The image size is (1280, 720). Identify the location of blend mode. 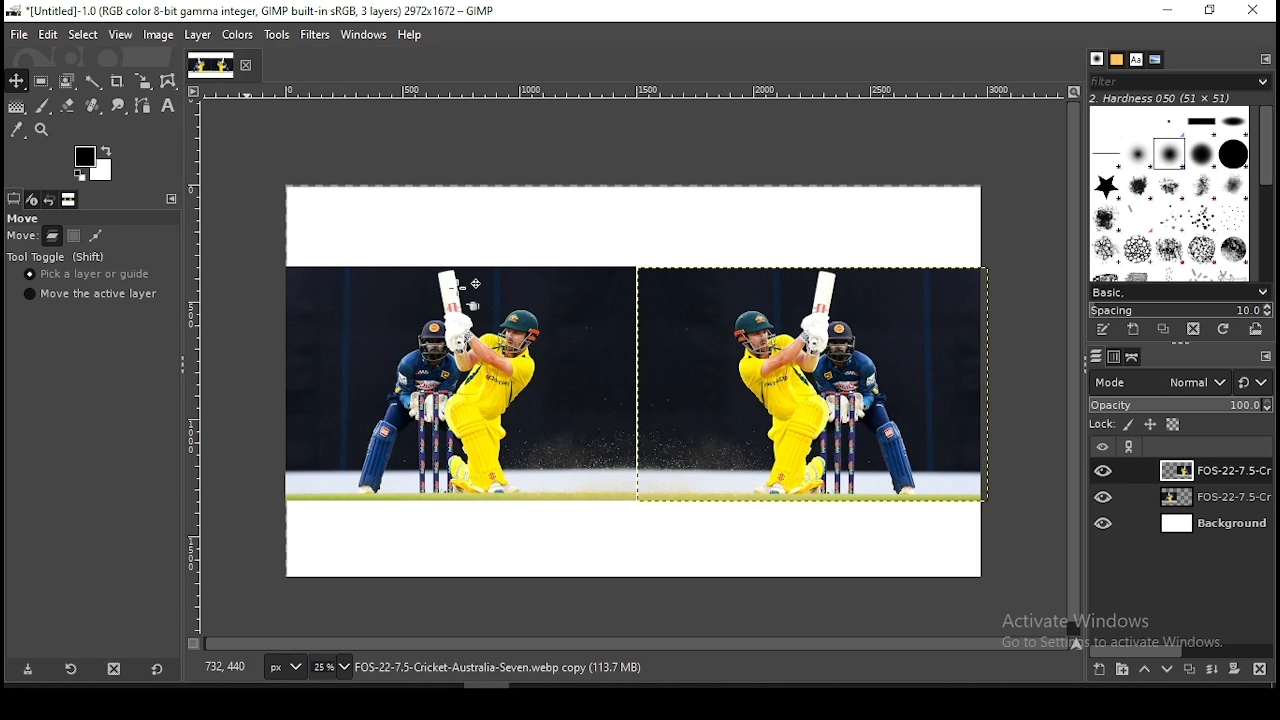
(1180, 382).